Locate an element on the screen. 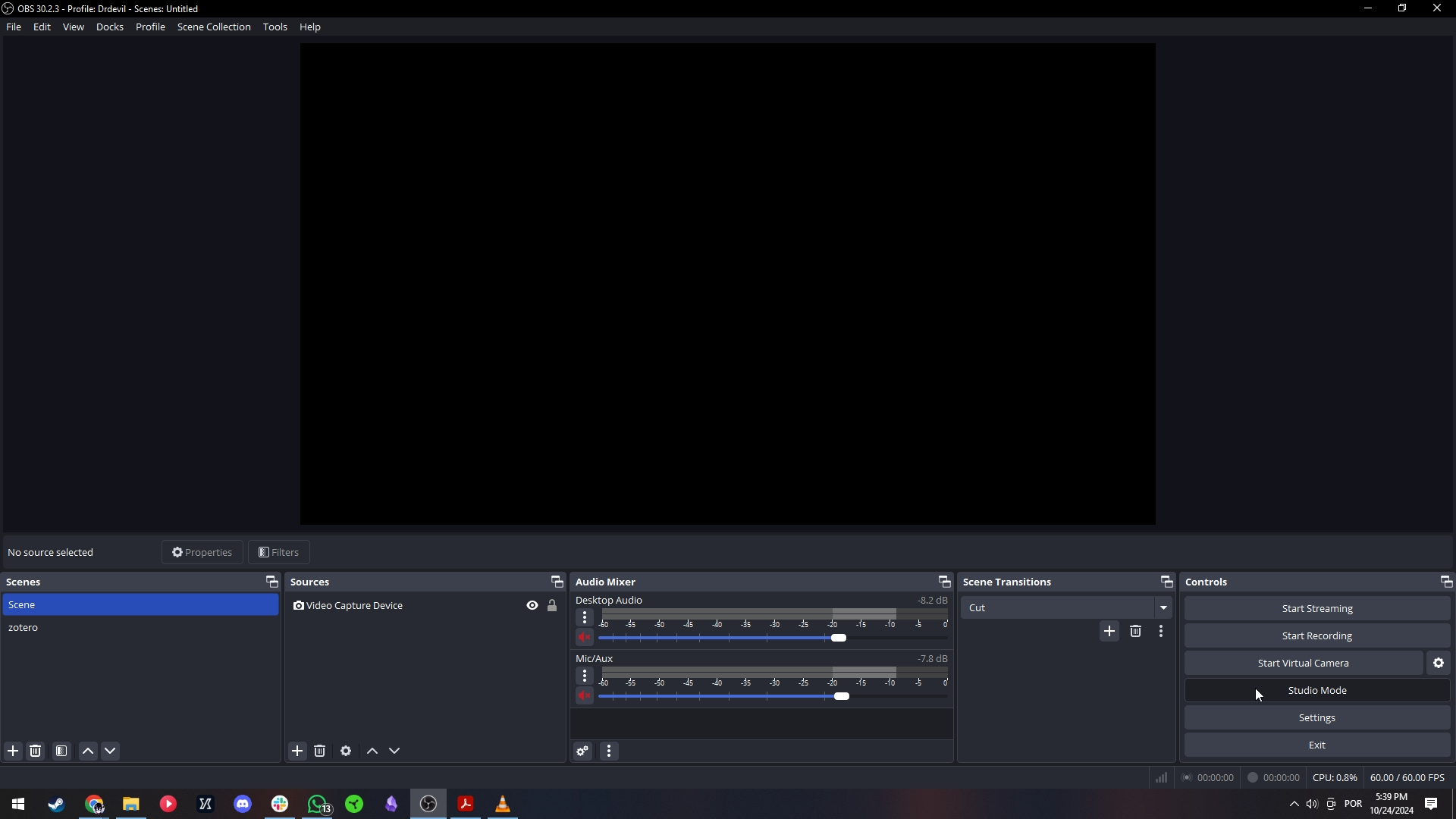  time and date is located at coordinates (1392, 804).